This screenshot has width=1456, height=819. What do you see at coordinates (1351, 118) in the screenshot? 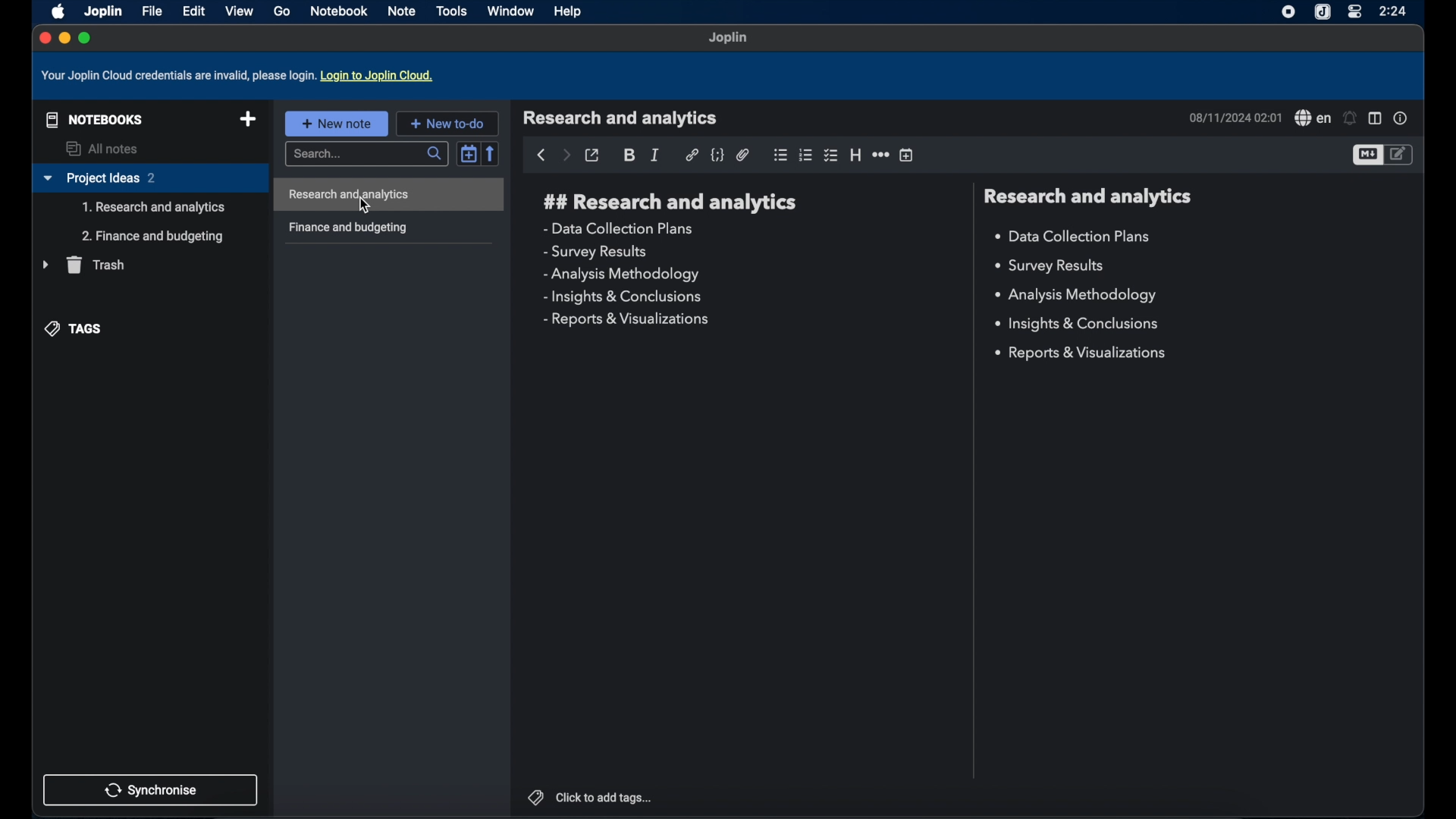
I see `set alarm` at bounding box center [1351, 118].